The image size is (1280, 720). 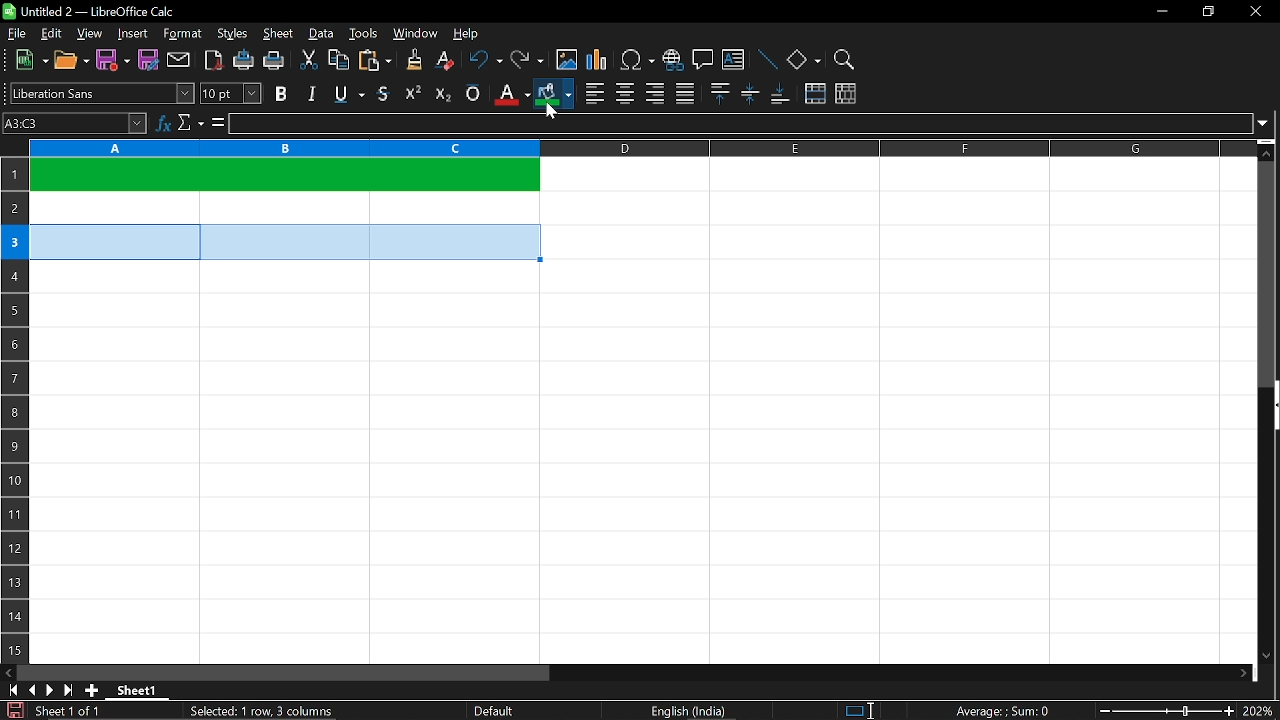 What do you see at coordinates (640, 149) in the screenshot?
I see `columns` at bounding box center [640, 149].